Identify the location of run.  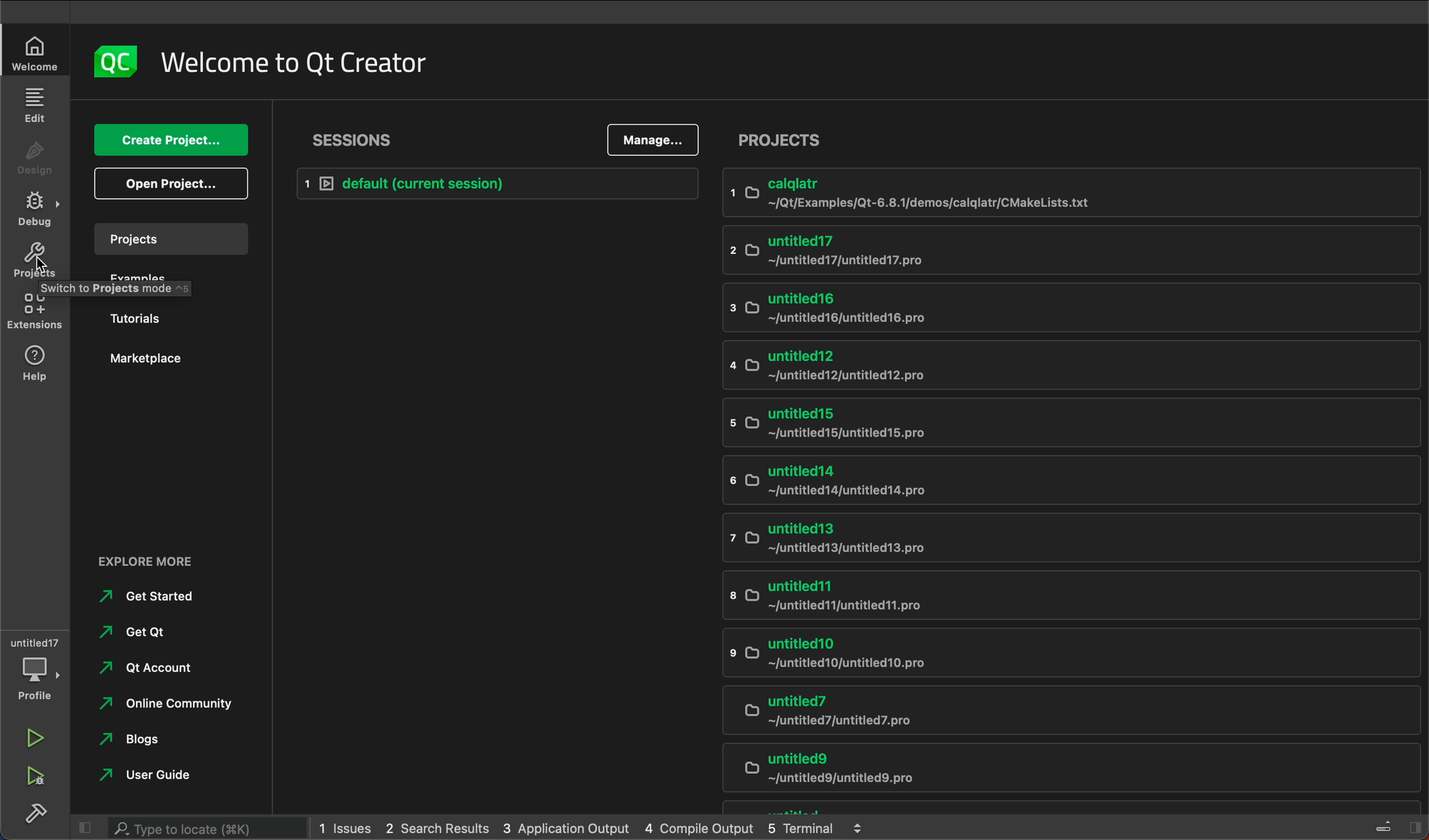
(36, 736).